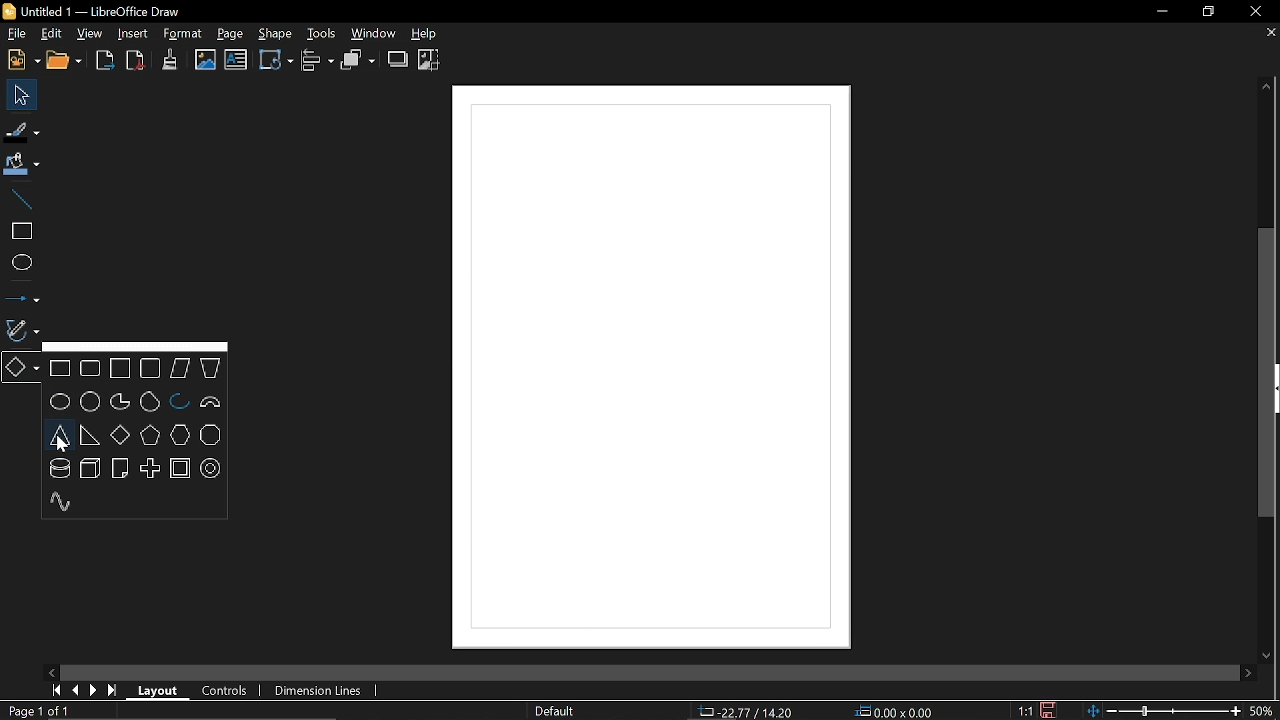  What do you see at coordinates (54, 690) in the screenshot?
I see `First page` at bounding box center [54, 690].